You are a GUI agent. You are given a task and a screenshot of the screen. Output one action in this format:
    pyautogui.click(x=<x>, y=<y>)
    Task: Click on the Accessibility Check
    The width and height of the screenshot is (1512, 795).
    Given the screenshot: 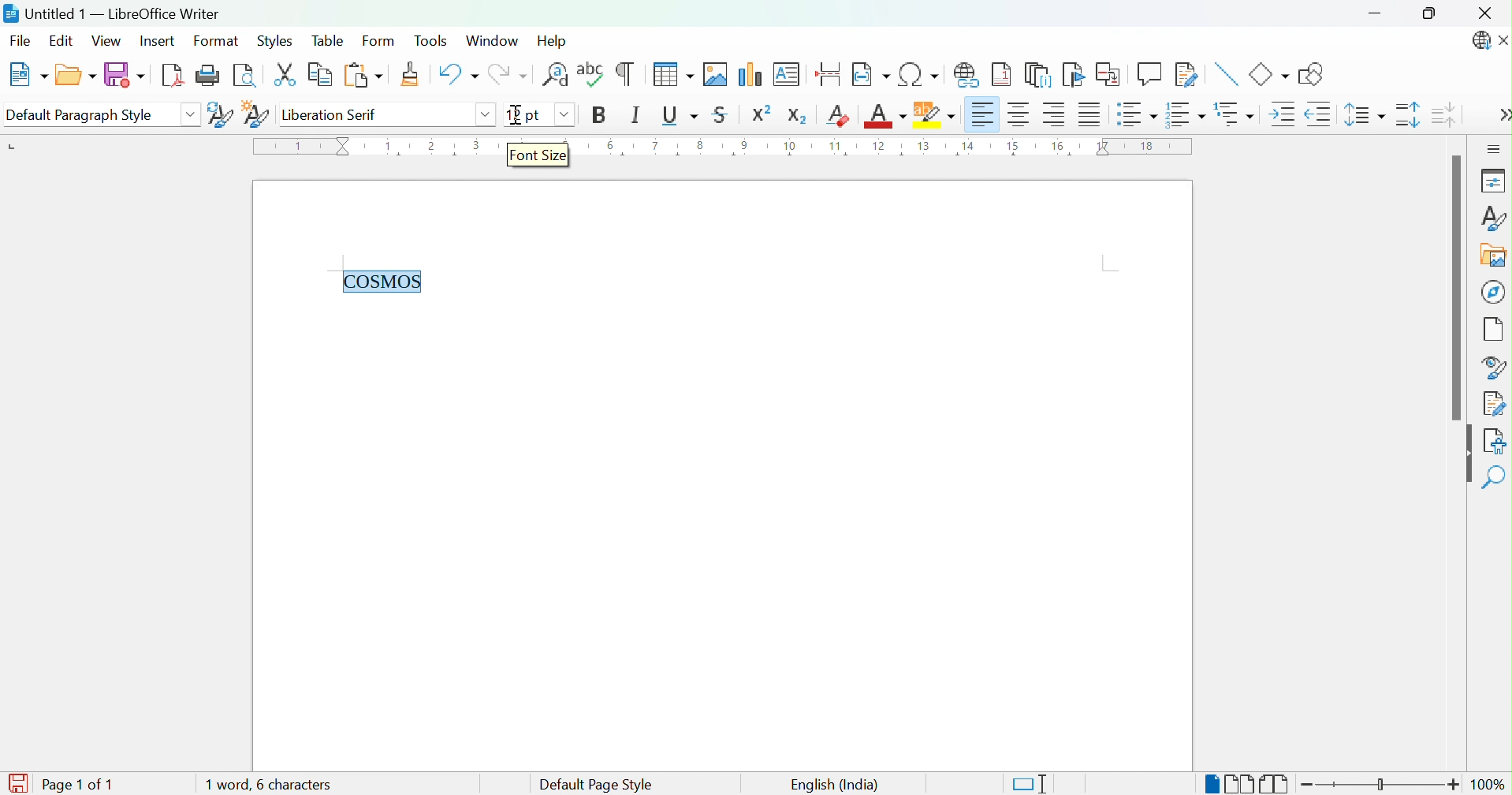 What is the action you would take?
    pyautogui.click(x=1497, y=439)
    